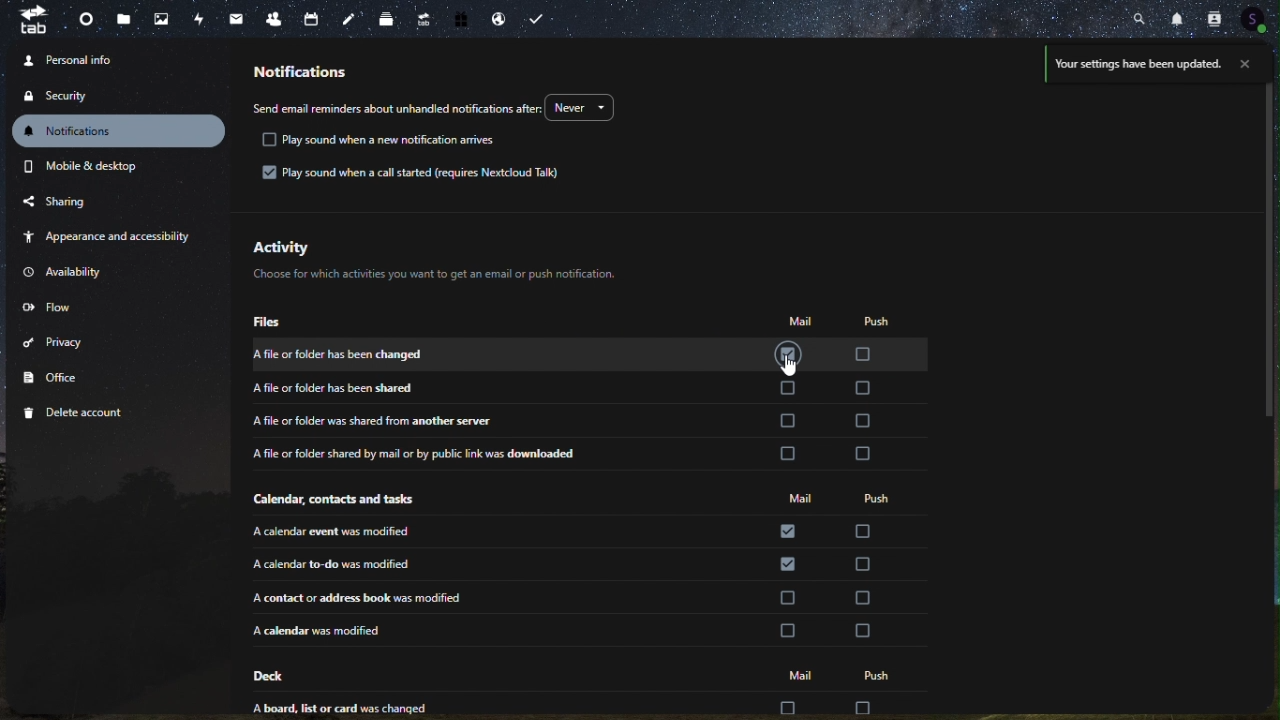 The image size is (1280, 720). I want to click on contact, so click(1215, 19).